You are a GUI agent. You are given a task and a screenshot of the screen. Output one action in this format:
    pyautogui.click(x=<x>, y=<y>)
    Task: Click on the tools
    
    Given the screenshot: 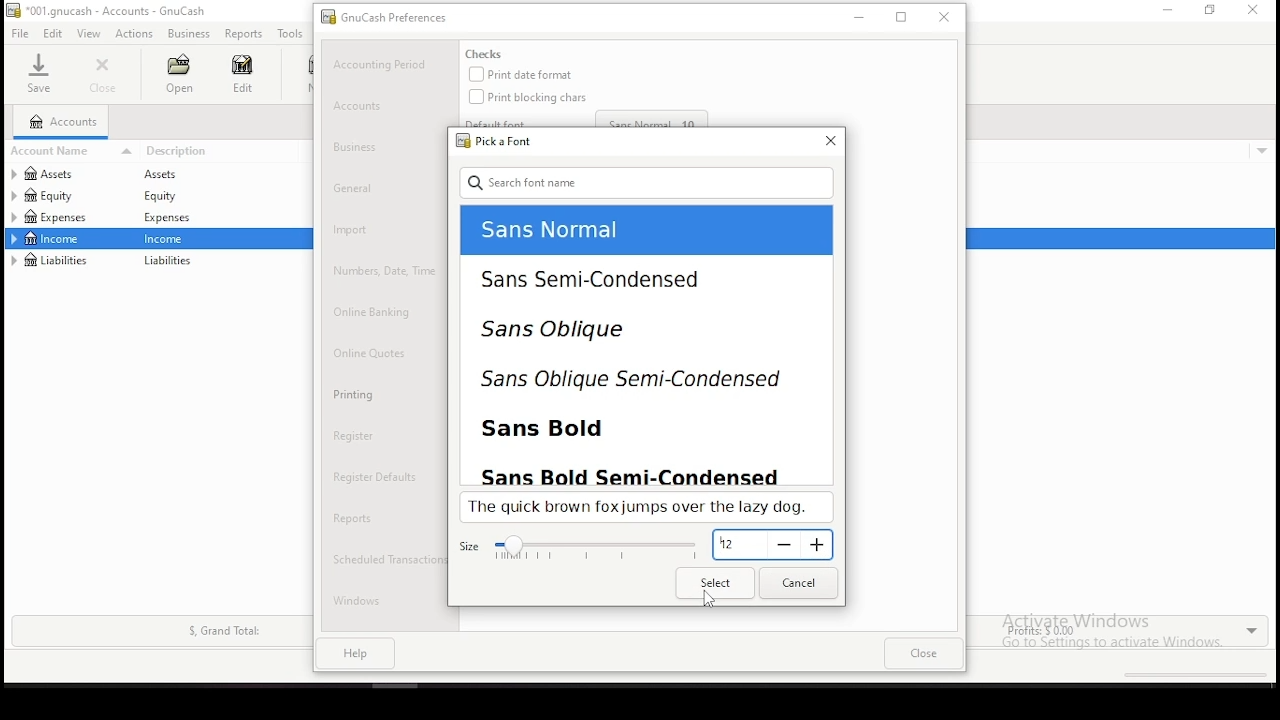 What is the action you would take?
    pyautogui.click(x=291, y=33)
    